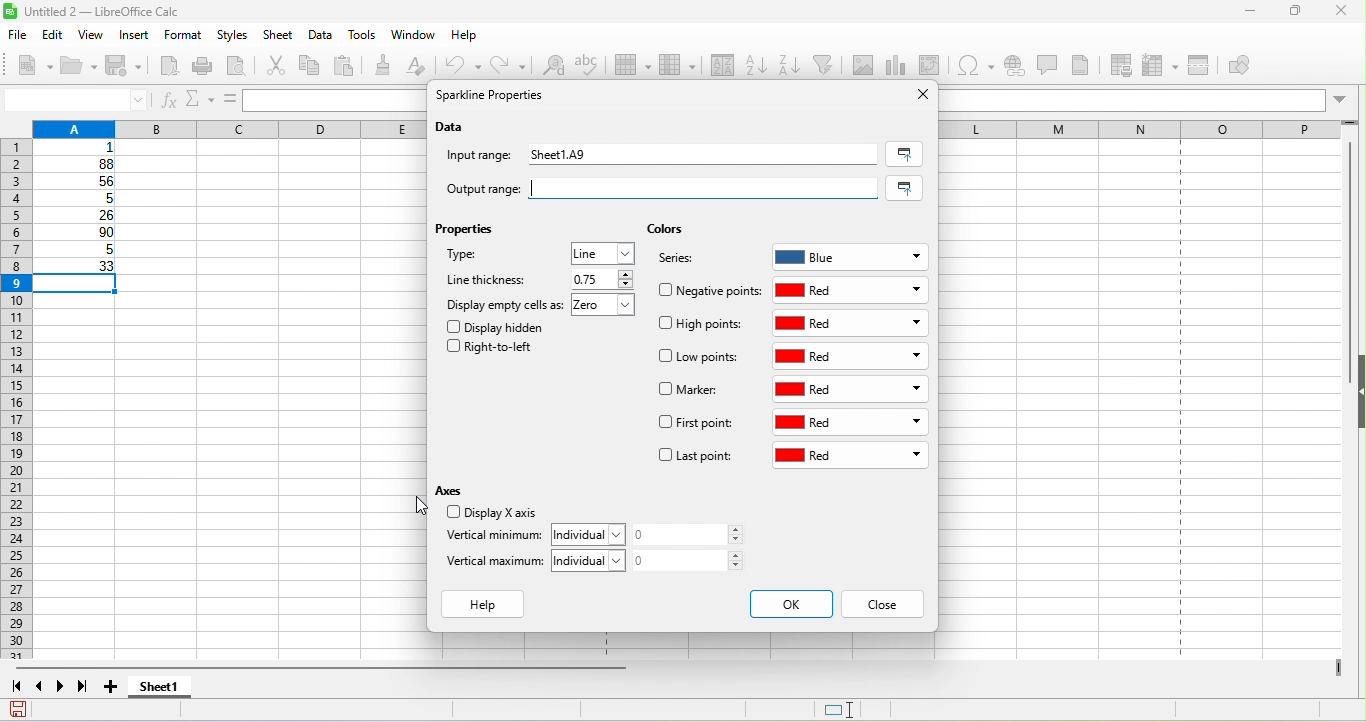 This screenshot has width=1366, height=722. What do you see at coordinates (80, 67) in the screenshot?
I see `open` at bounding box center [80, 67].